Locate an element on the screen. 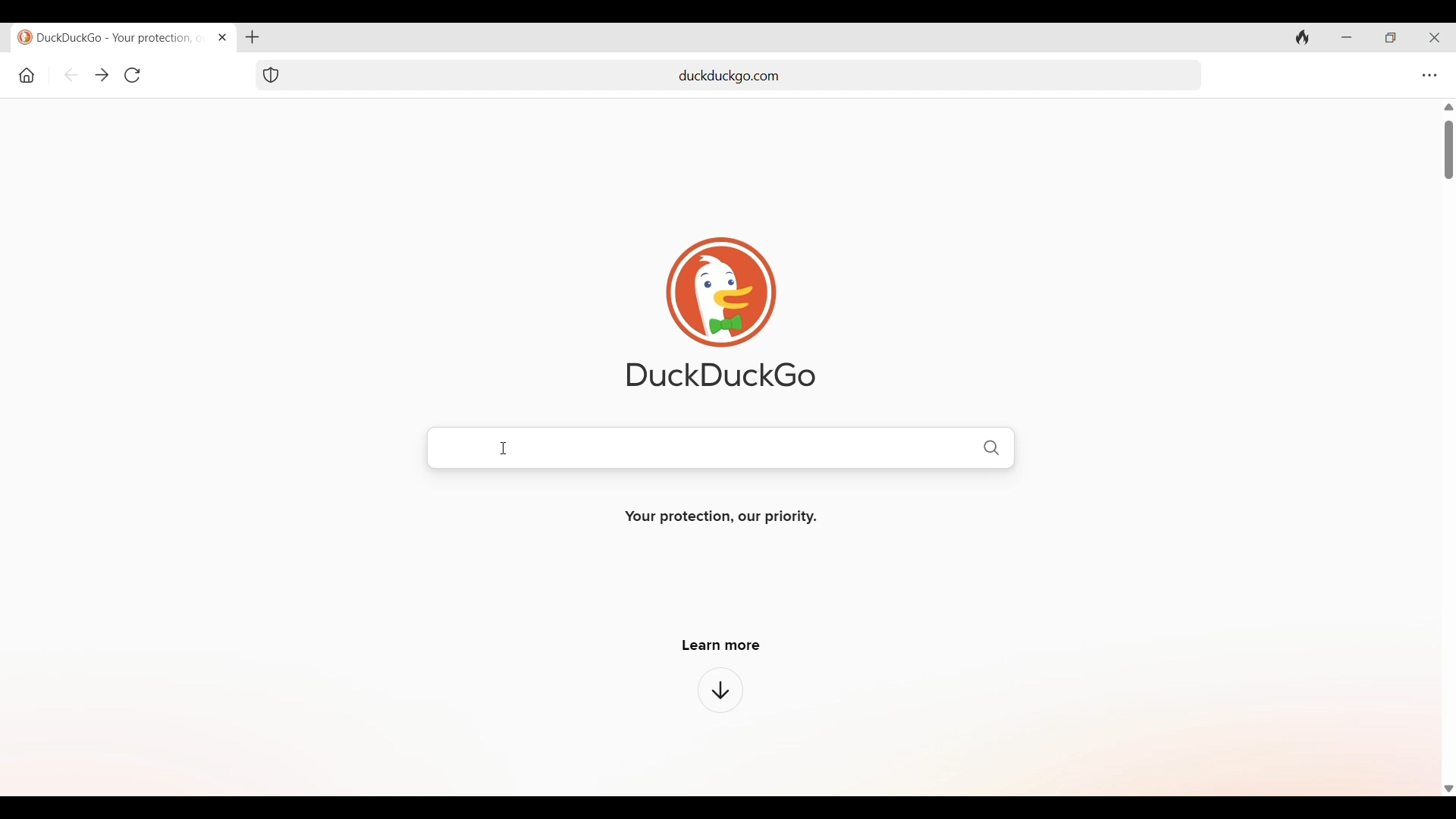  Scroll down  is located at coordinates (1447, 789).